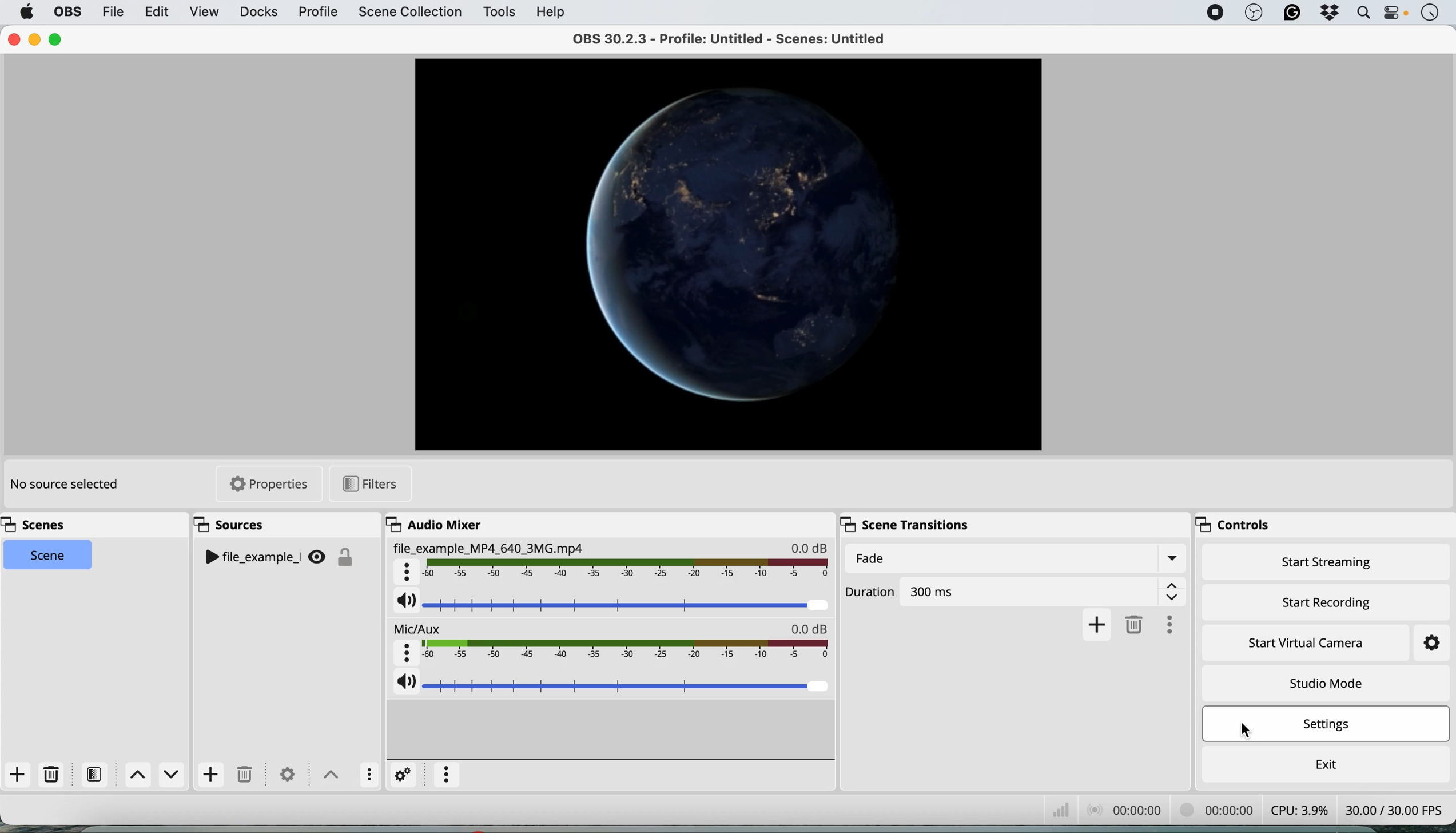 This screenshot has height=833, width=1456. What do you see at coordinates (244, 775) in the screenshot?
I see `delete source` at bounding box center [244, 775].